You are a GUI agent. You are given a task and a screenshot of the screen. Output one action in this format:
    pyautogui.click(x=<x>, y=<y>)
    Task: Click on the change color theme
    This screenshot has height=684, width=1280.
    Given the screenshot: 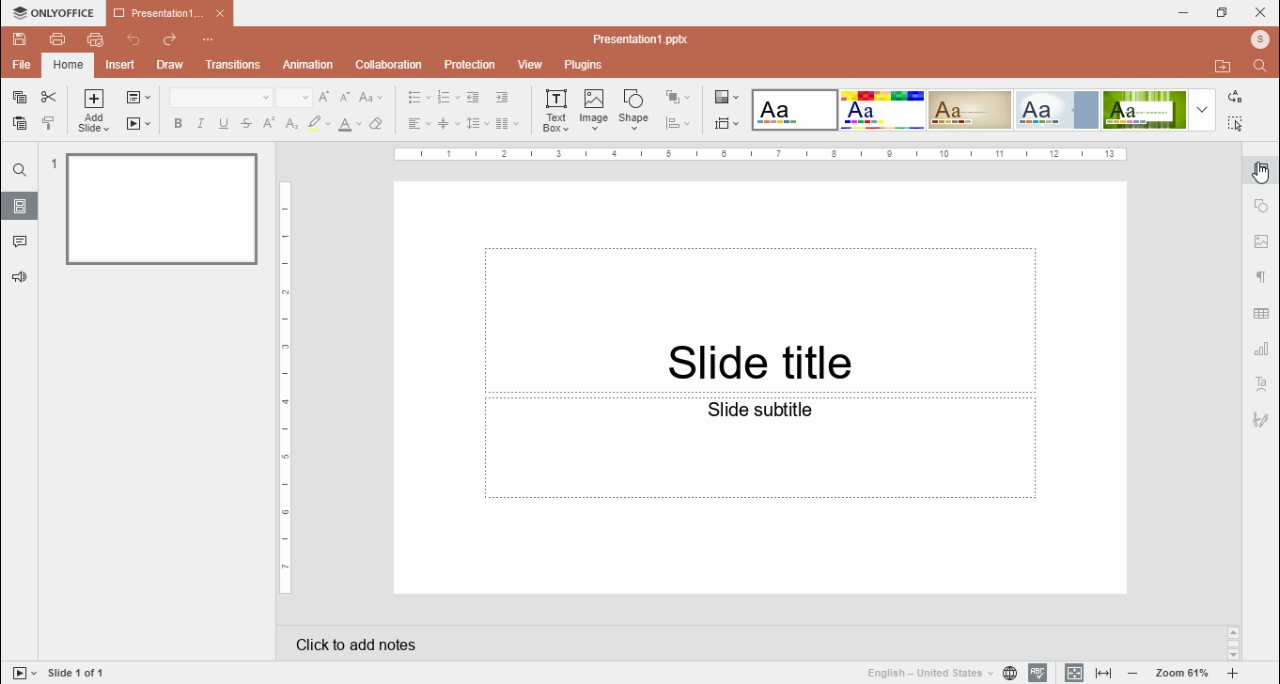 What is the action you would take?
    pyautogui.click(x=726, y=97)
    